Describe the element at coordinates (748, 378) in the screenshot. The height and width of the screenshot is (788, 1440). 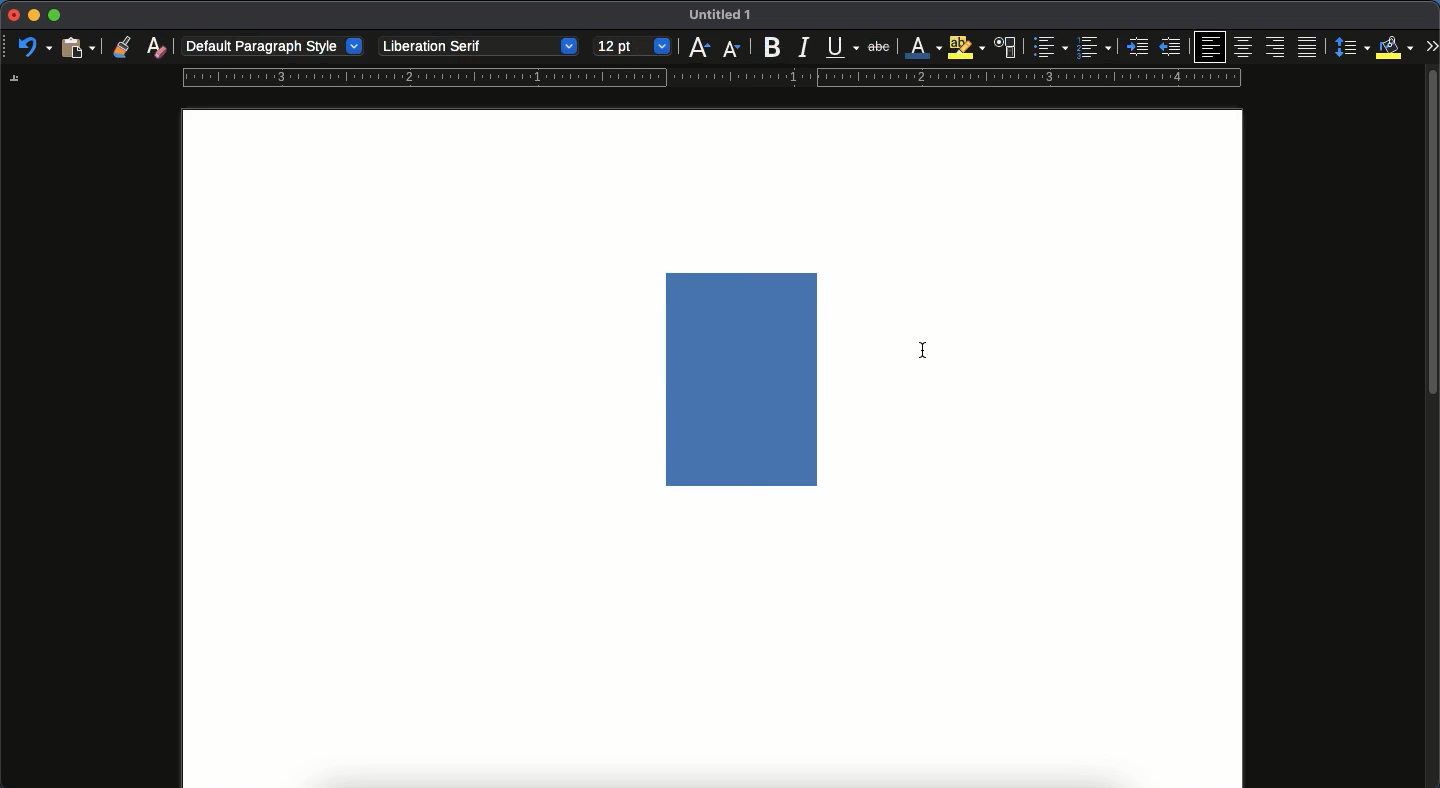
I see `cropped image` at that location.